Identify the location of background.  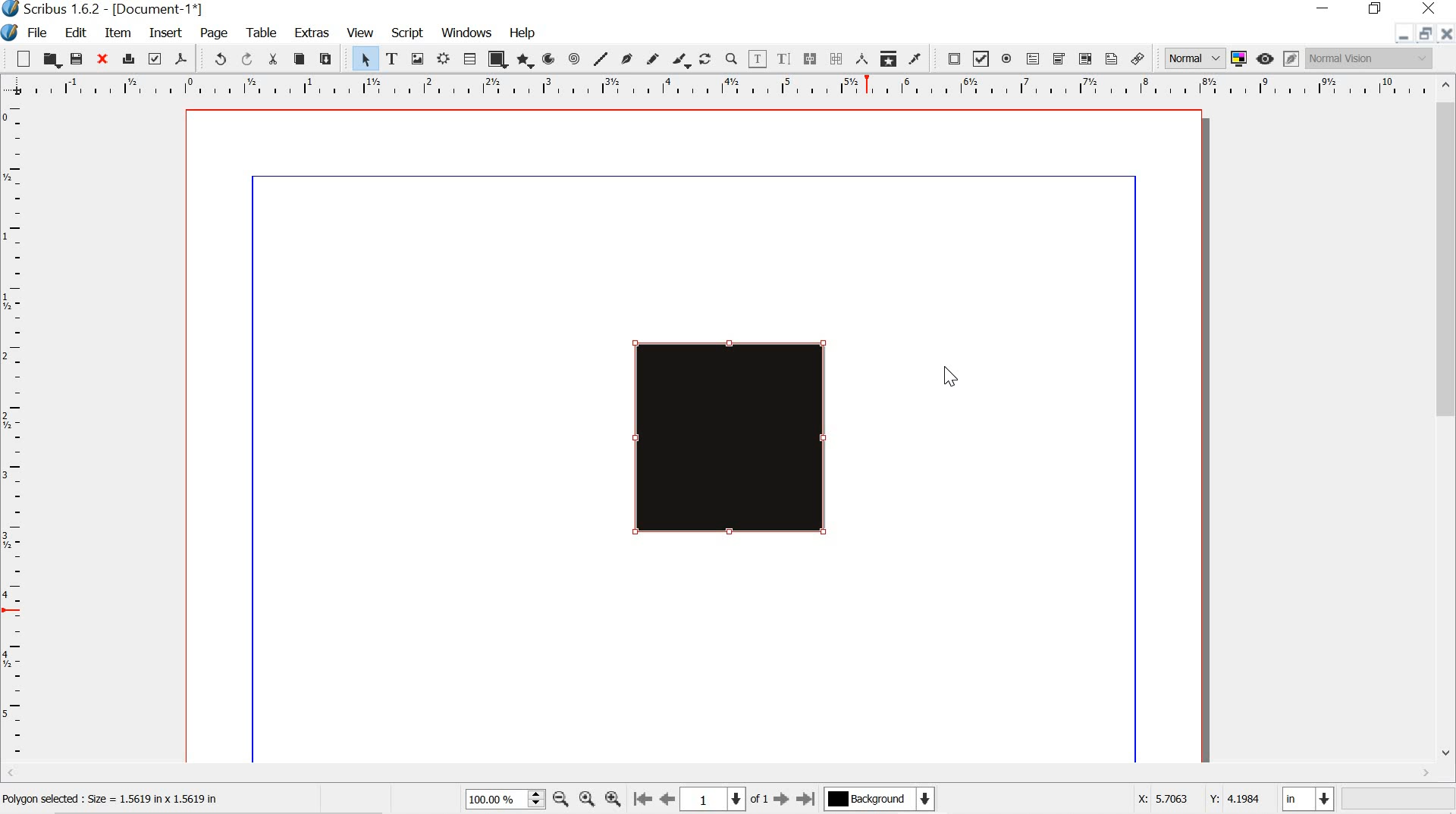
(886, 800).